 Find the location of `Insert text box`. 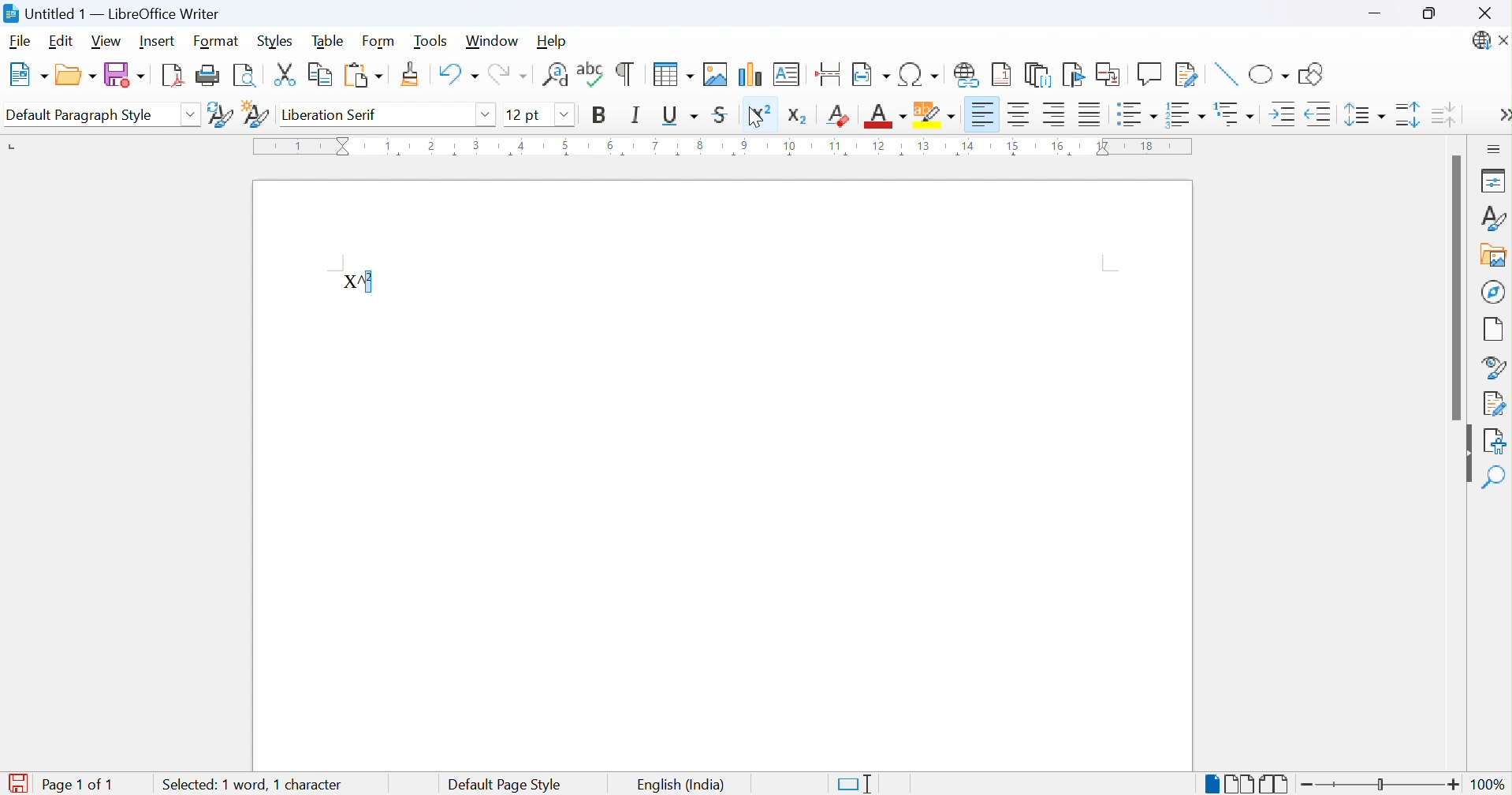

Insert text box is located at coordinates (788, 74).